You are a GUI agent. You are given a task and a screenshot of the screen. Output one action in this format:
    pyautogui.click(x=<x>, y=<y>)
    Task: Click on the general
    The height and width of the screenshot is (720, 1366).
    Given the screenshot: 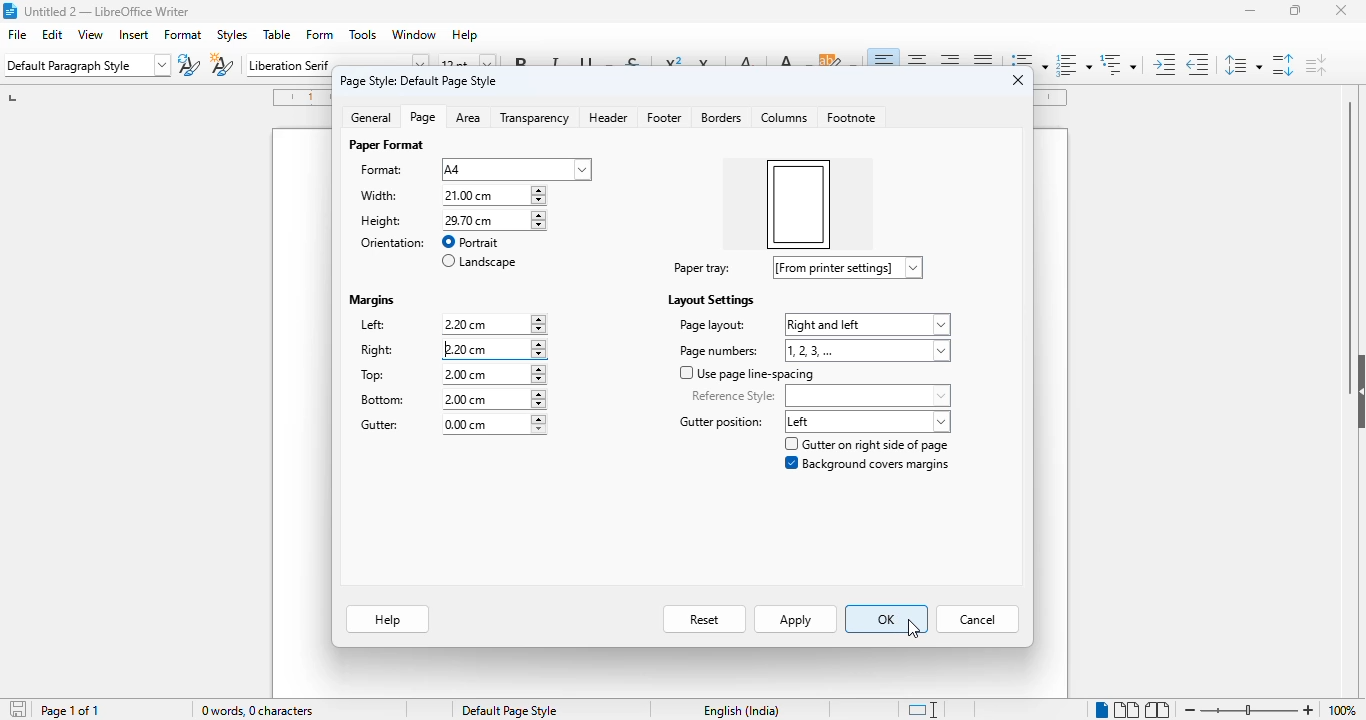 What is the action you would take?
    pyautogui.click(x=372, y=117)
    